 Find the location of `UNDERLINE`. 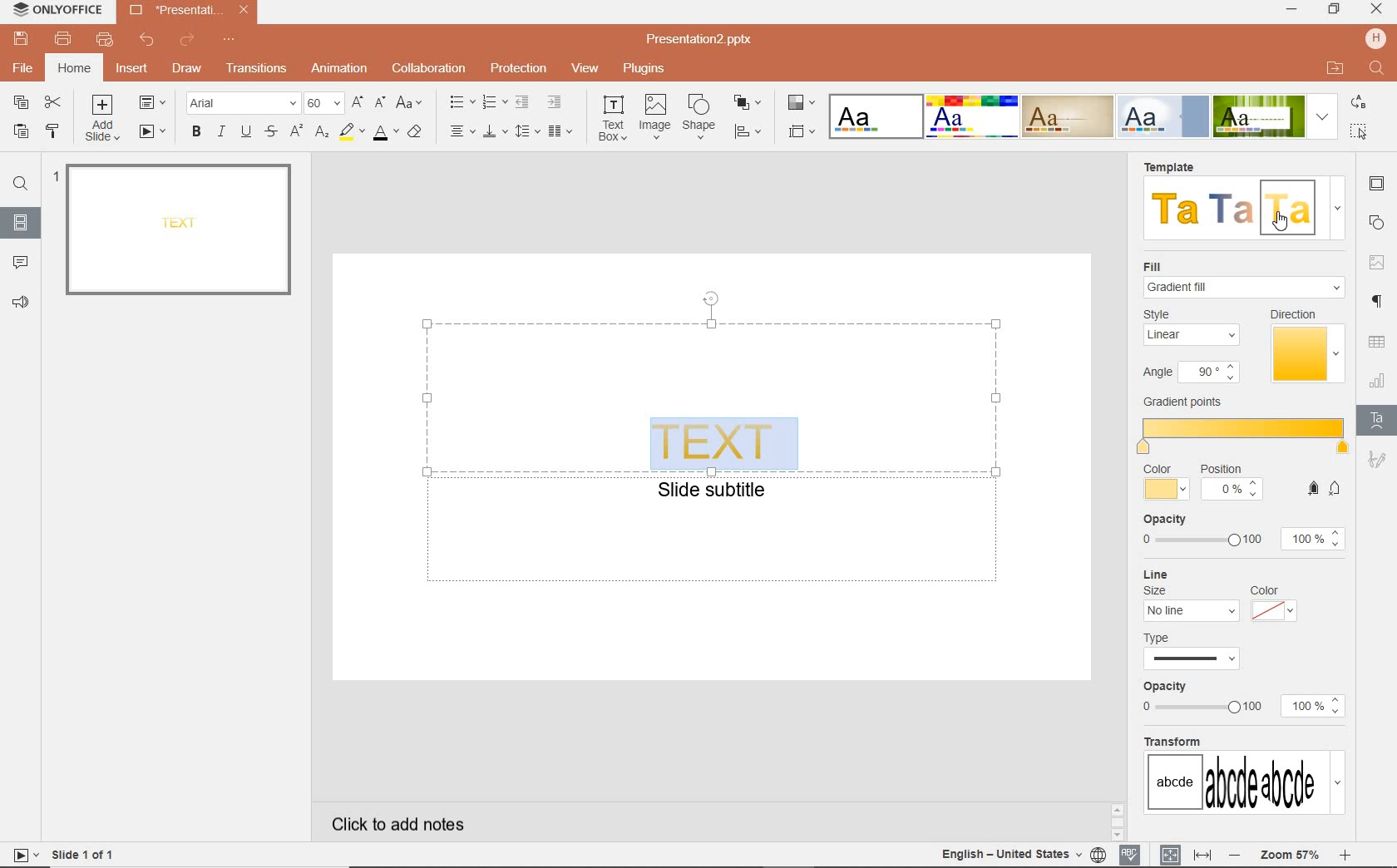

UNDERLINE is located at coordinates (246, 131).